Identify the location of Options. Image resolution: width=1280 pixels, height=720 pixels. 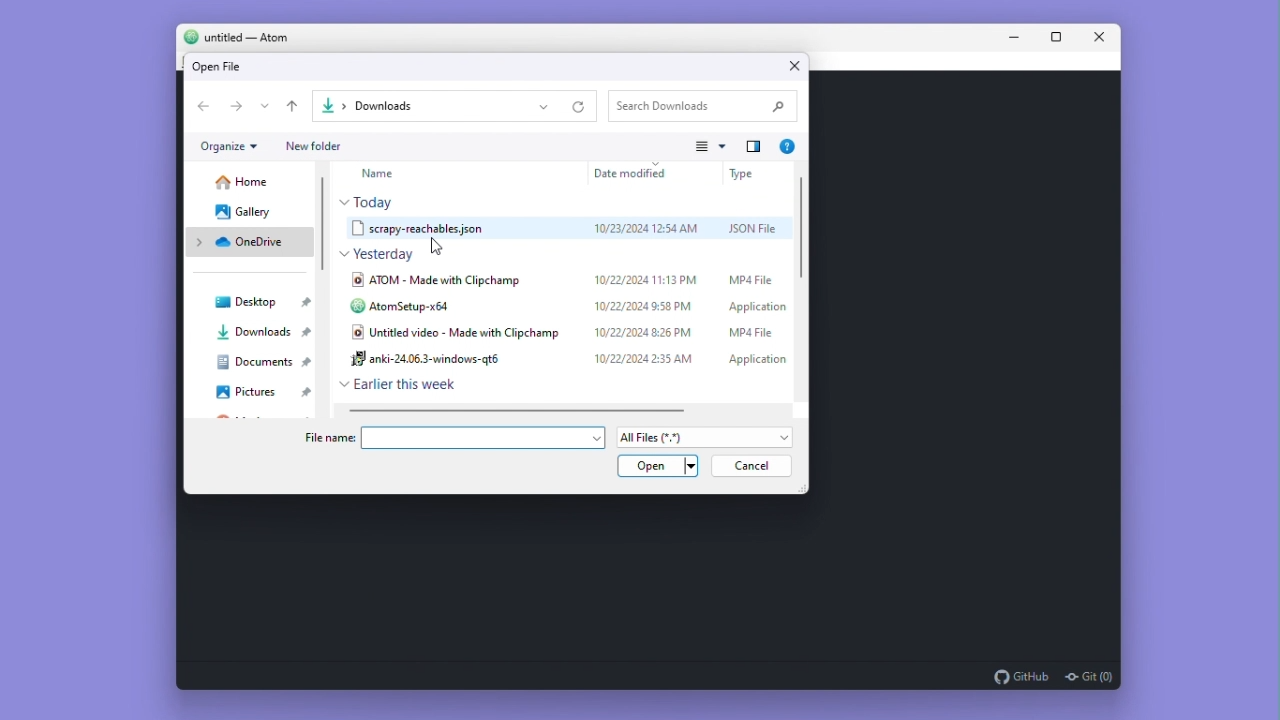
(264, 106).